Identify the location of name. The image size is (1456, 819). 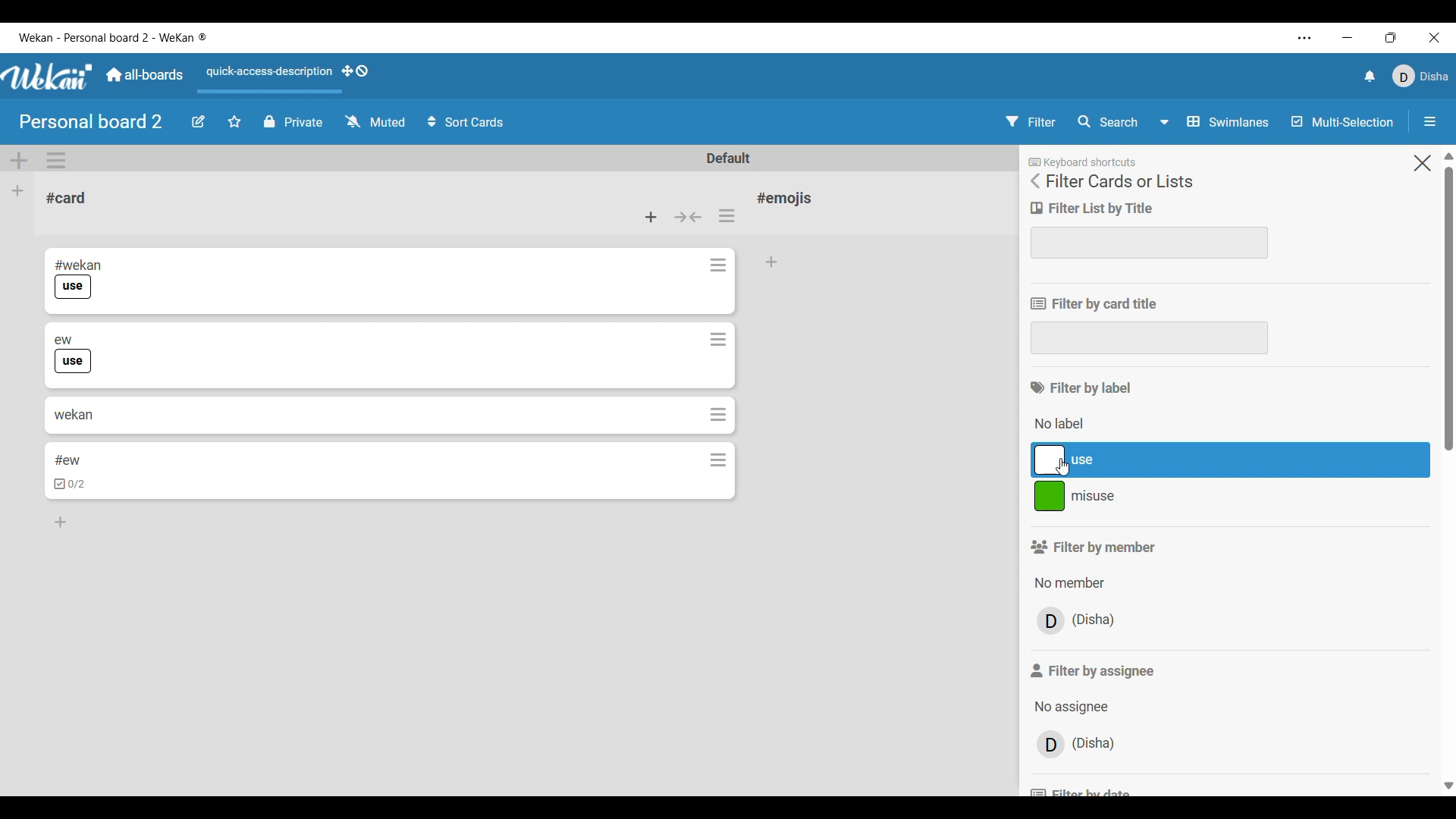
(1095, 620).